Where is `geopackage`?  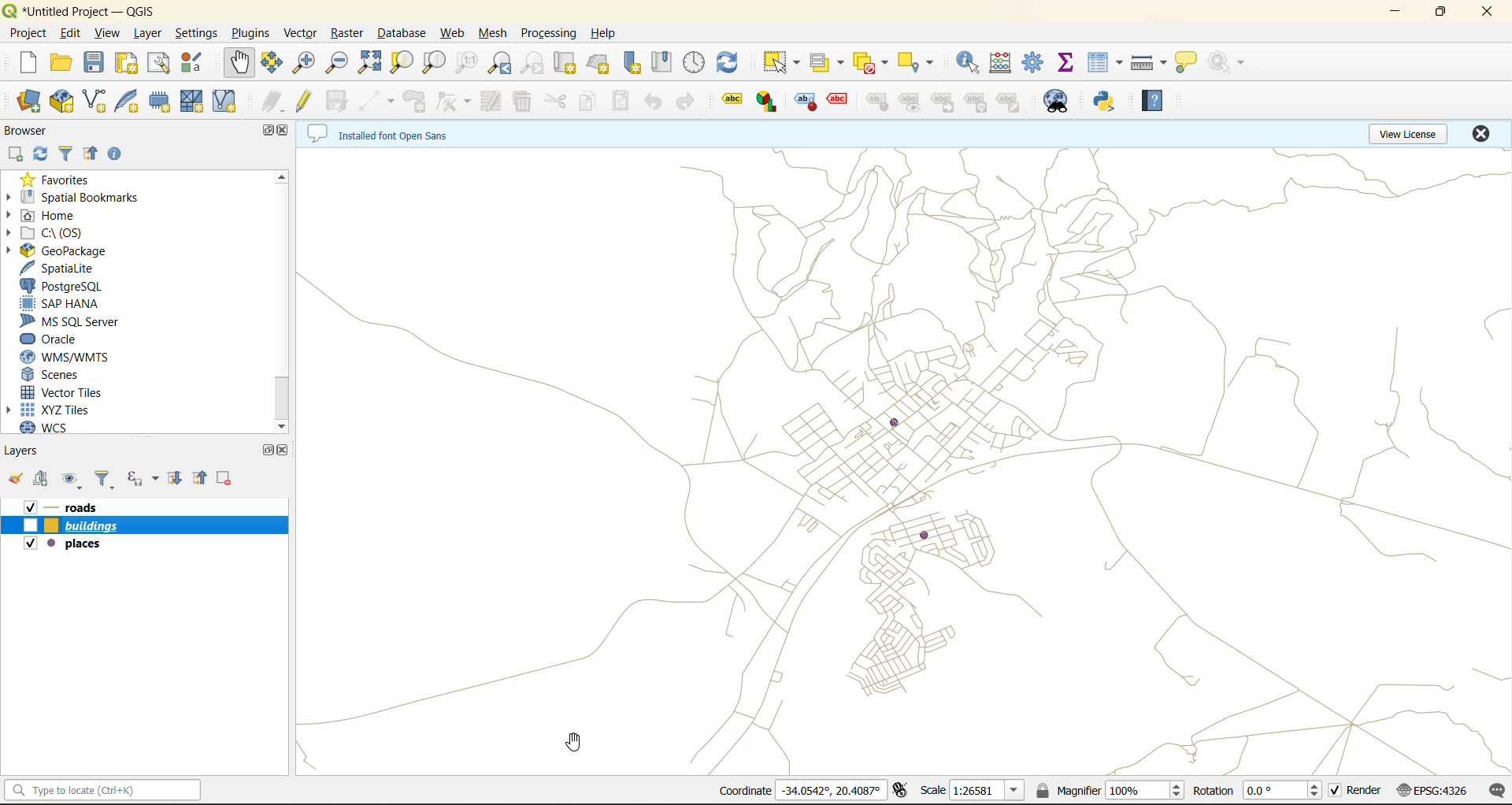 geopackage is located at coordinates (72, 250).